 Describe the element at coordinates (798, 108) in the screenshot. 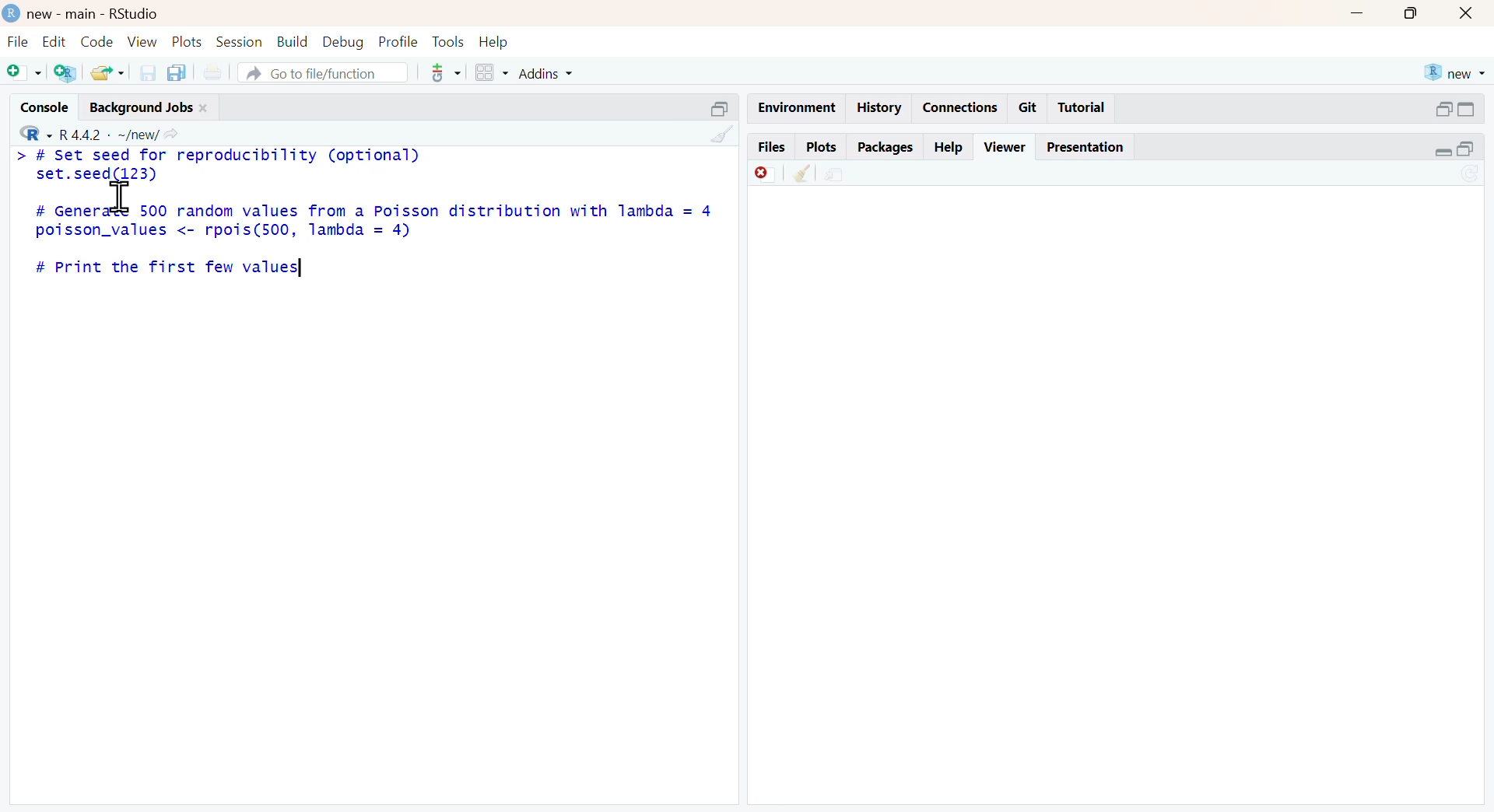

I see `enviornment` at that location.